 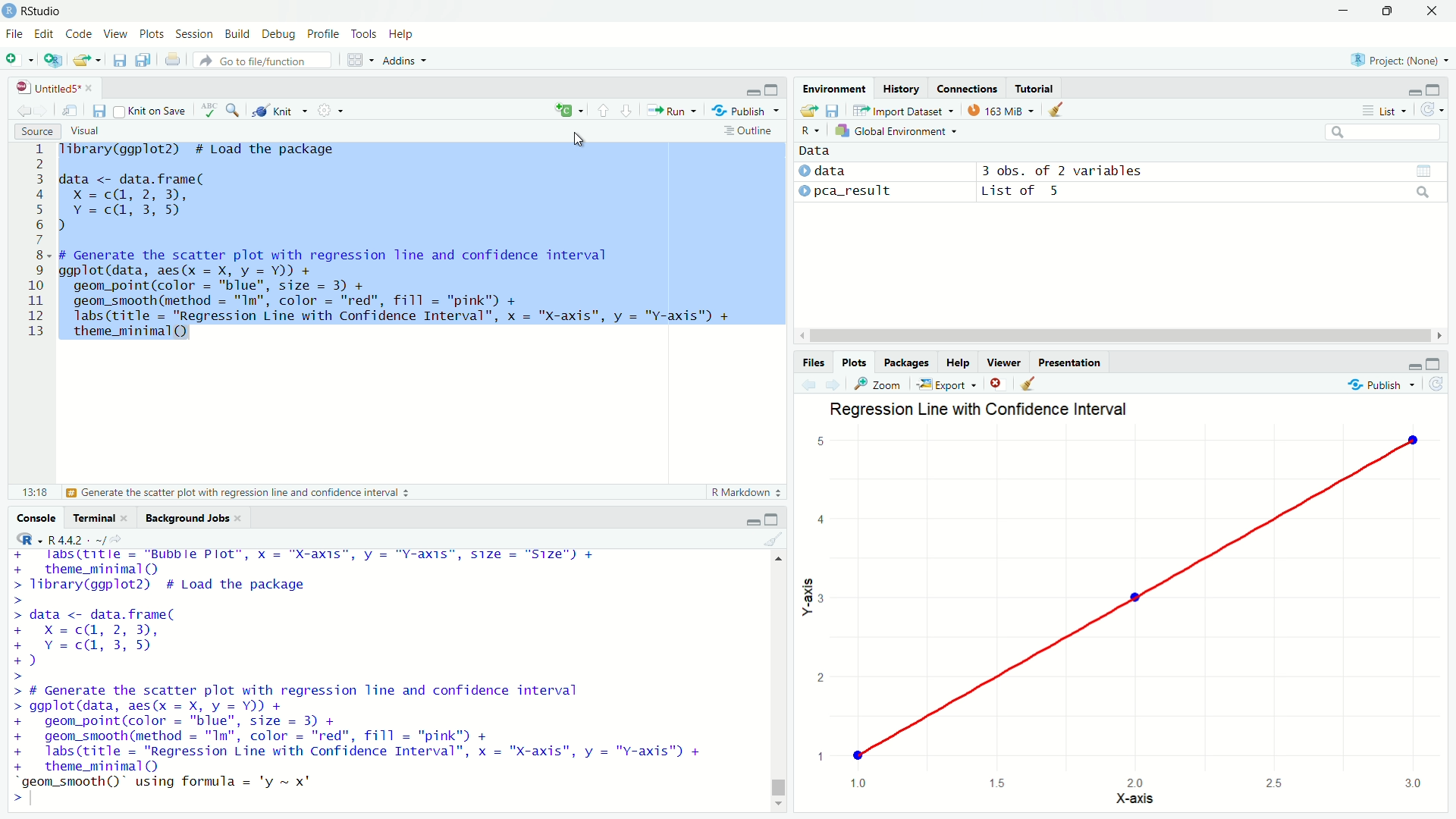 What do you see at coordinates (208, 110) in the screenshot?
I see `Check spelling in the document` at bounding box center [208, 110].